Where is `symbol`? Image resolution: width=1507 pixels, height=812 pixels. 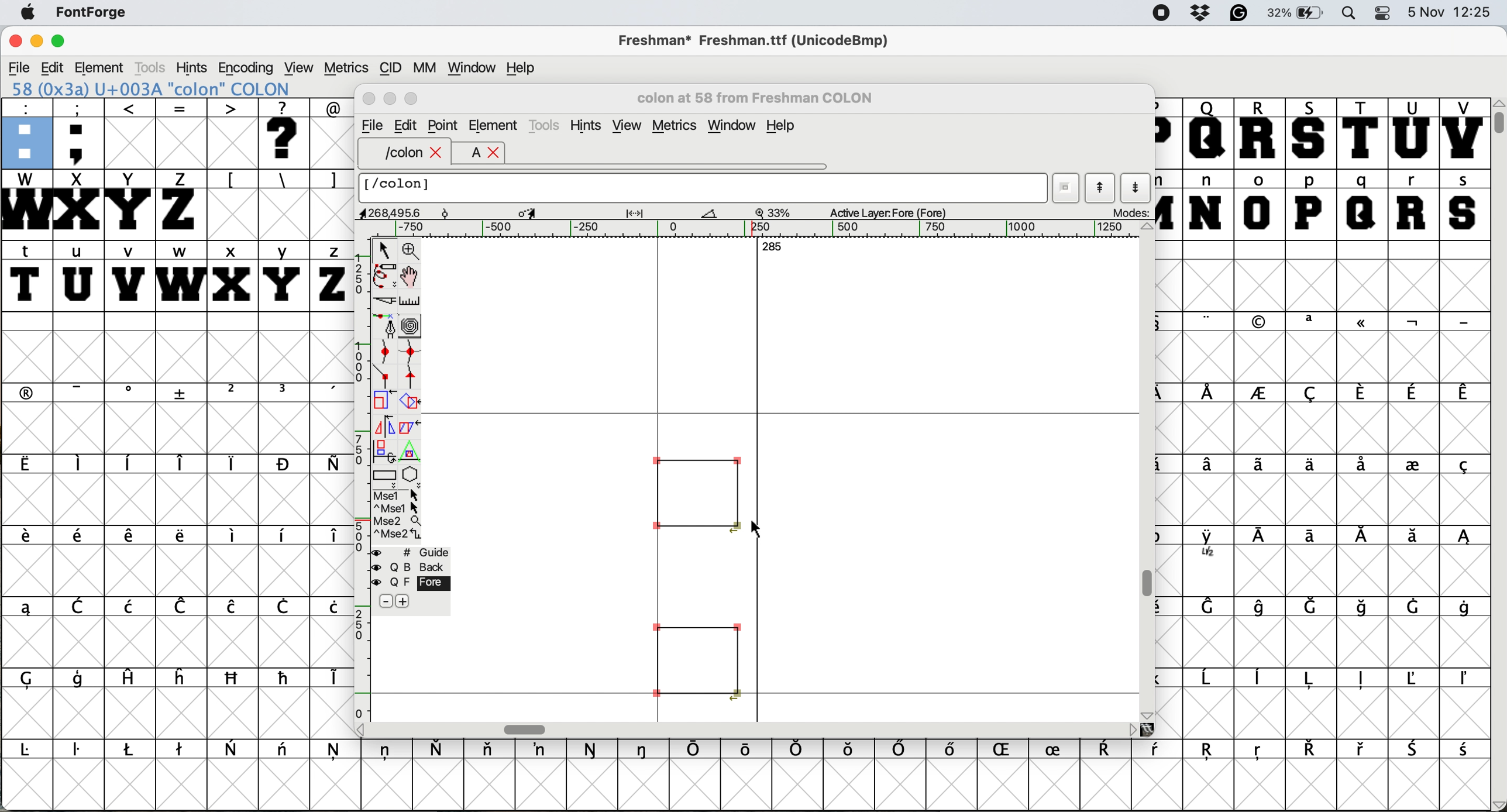
symbol is located at coordinates (81, 538).